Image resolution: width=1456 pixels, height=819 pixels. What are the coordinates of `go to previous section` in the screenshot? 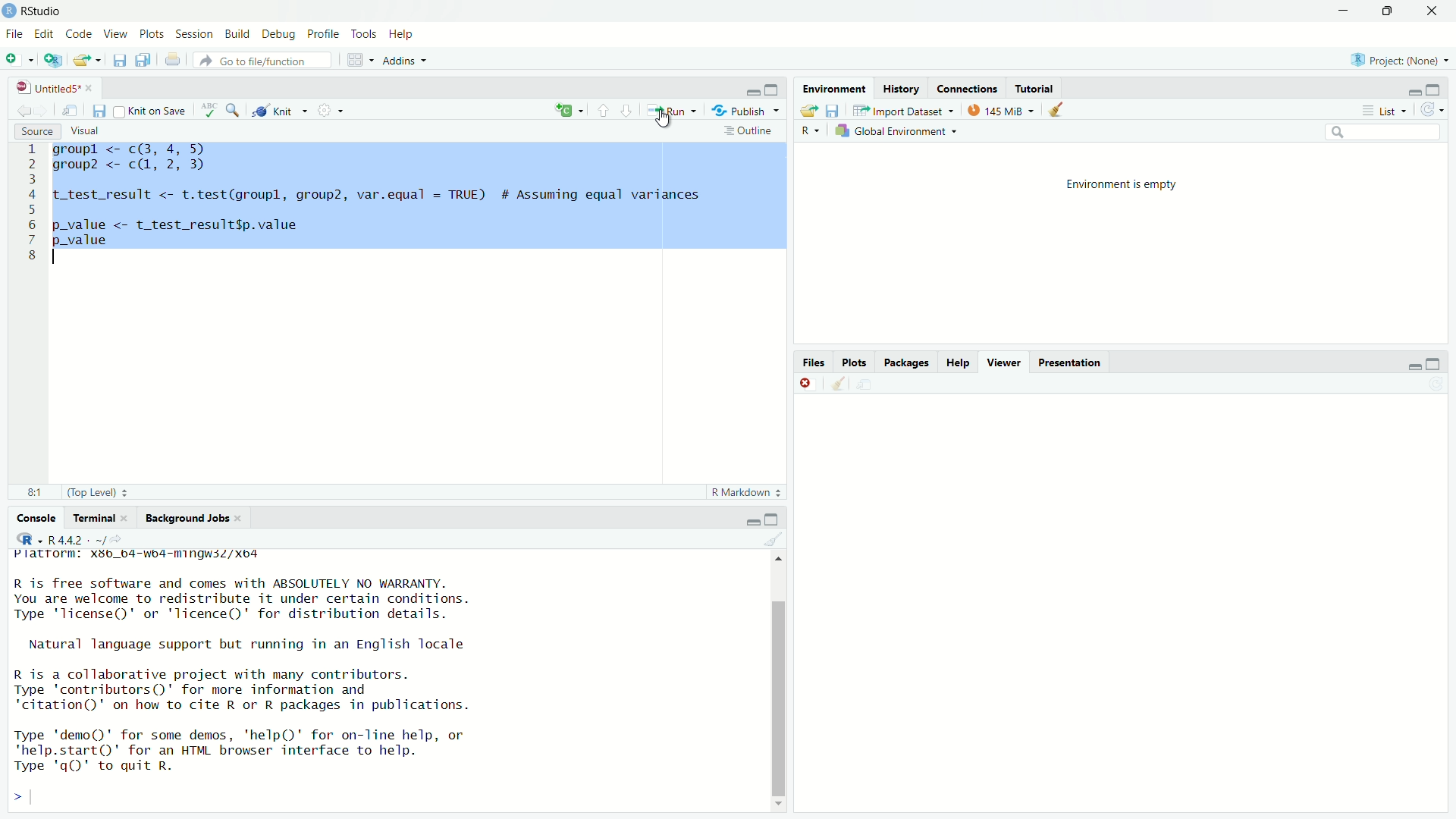 It's located at (603, 109).